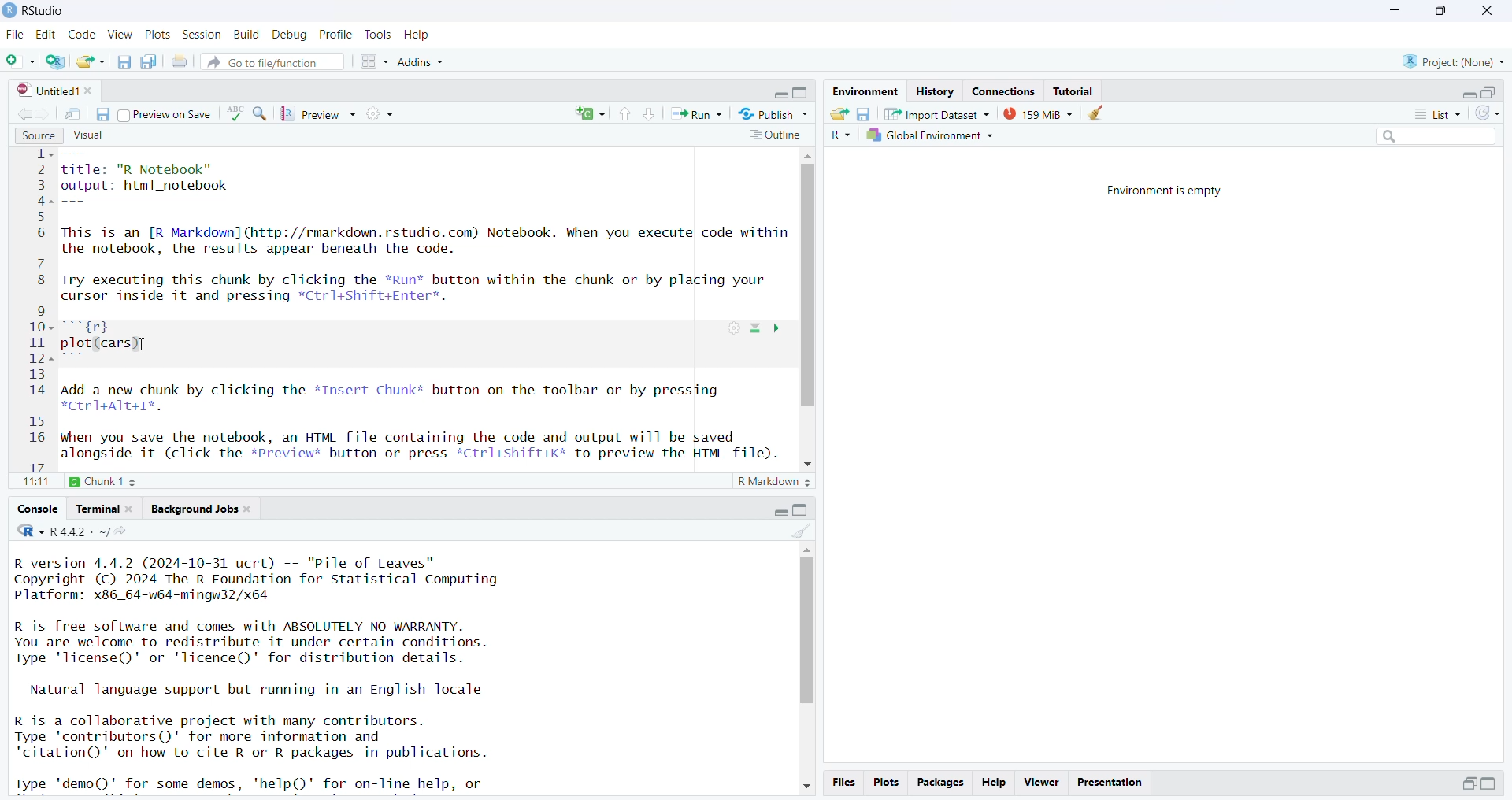 The image size is (1512, 800). Describe the element at coordinates (166, 116) in the screenshot. I see `preview on save` at that location.